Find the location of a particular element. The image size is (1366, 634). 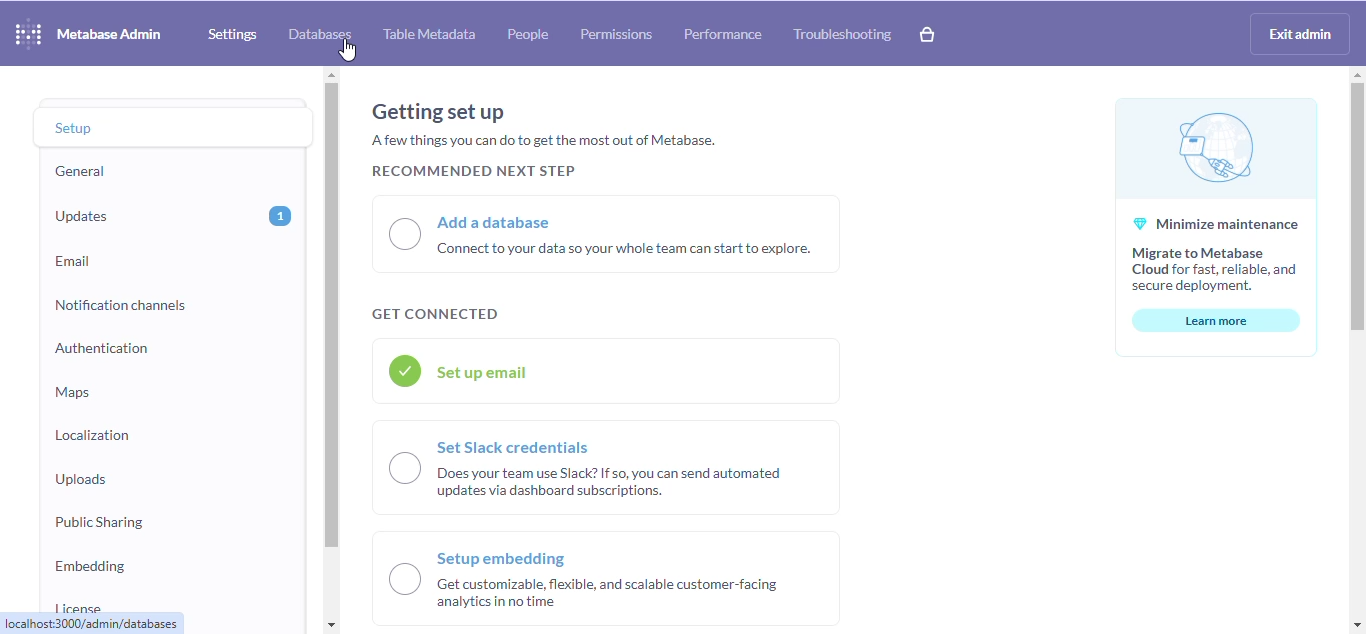

get connected is located at coordinates (435, 314).